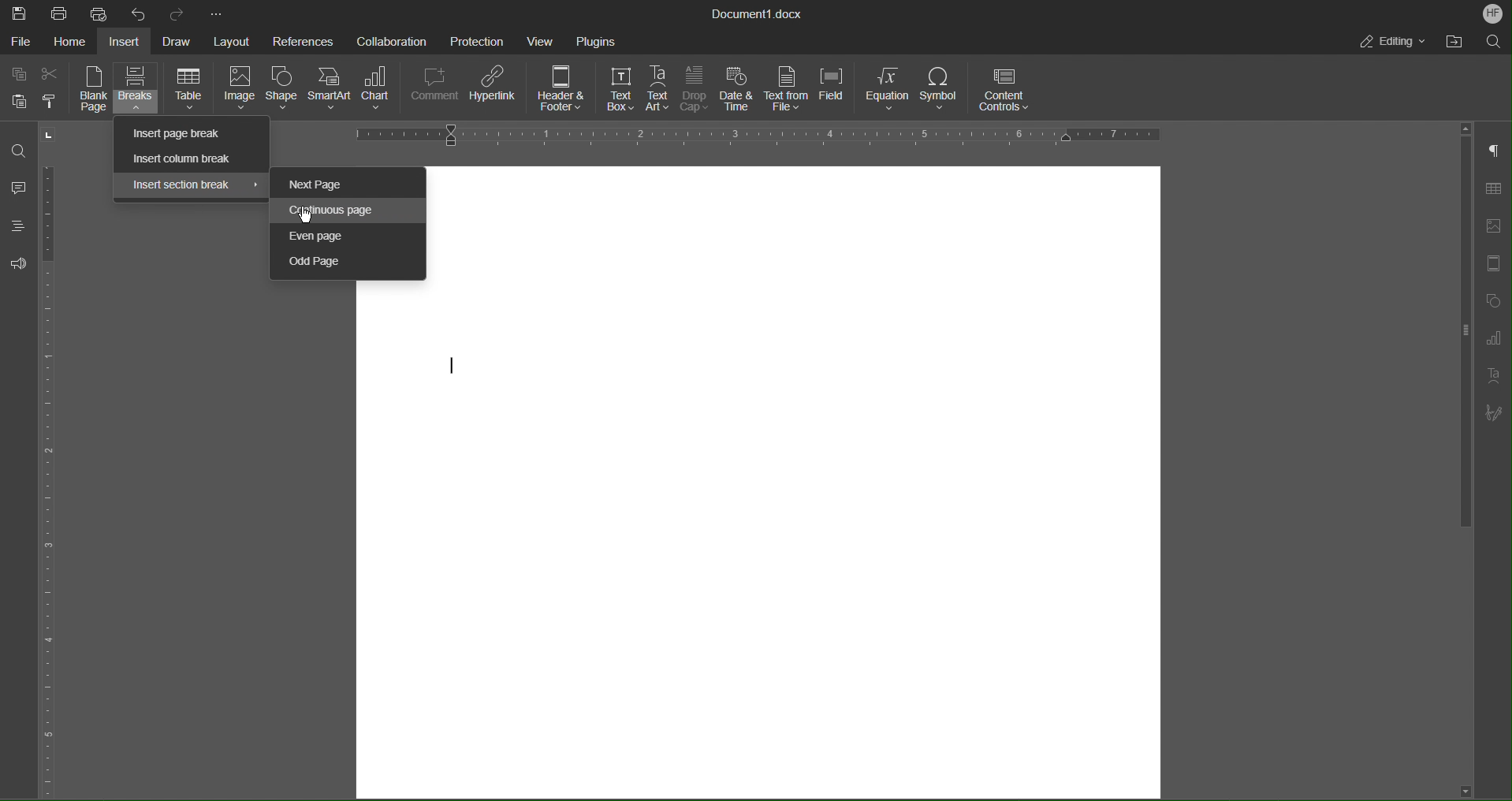  What do you see at coordinates (565, 89) in the screenshot?
I see `Header and Footer` at bounding box center [565, 89].